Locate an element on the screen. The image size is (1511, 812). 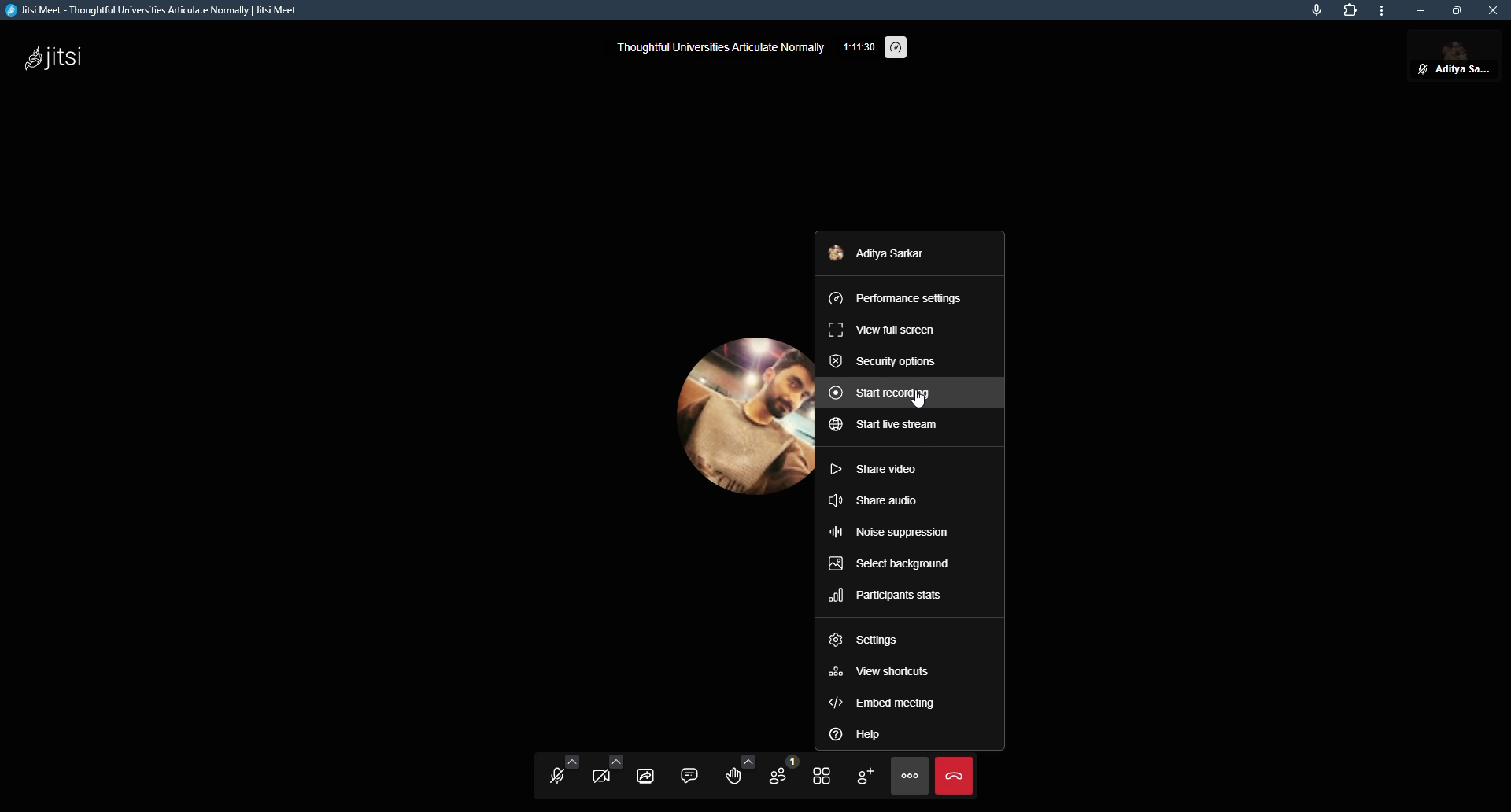
share audio is located at coordinates (881, 500).